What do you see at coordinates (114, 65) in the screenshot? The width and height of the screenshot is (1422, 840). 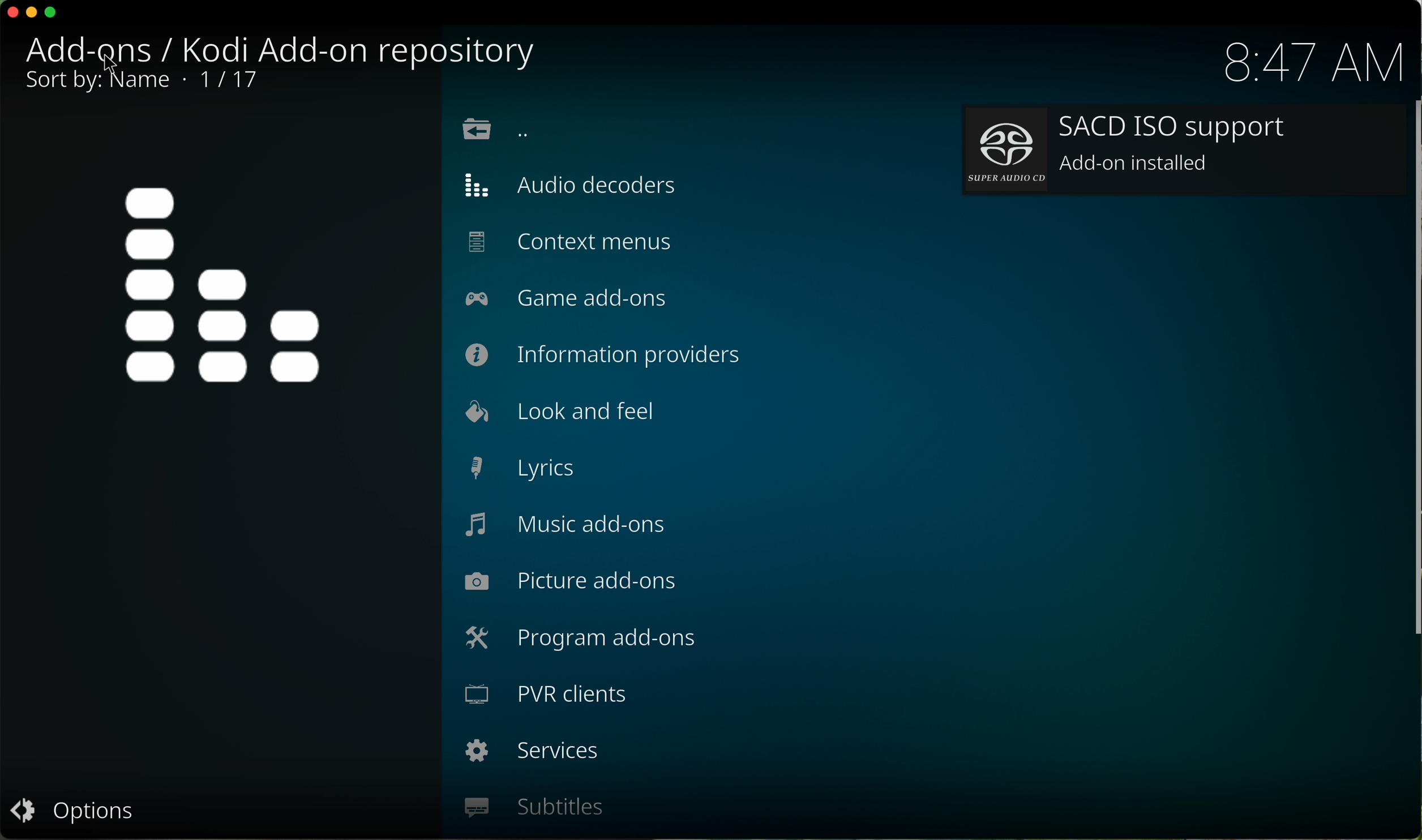 I see `mouse` at bounding box center [114, 65].